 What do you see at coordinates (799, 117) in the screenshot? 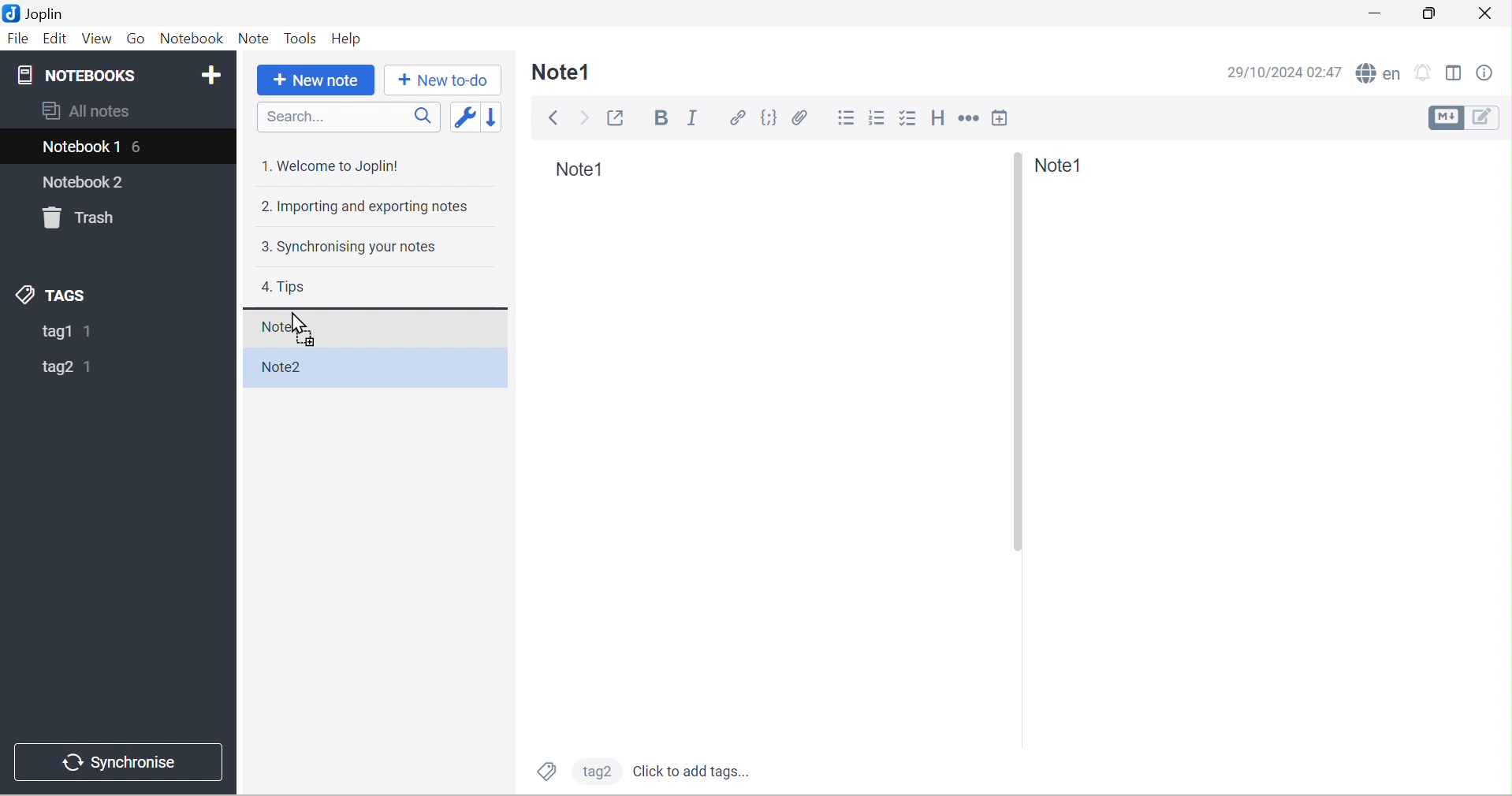
I see `Attach file` at bounding box center [799, 117].